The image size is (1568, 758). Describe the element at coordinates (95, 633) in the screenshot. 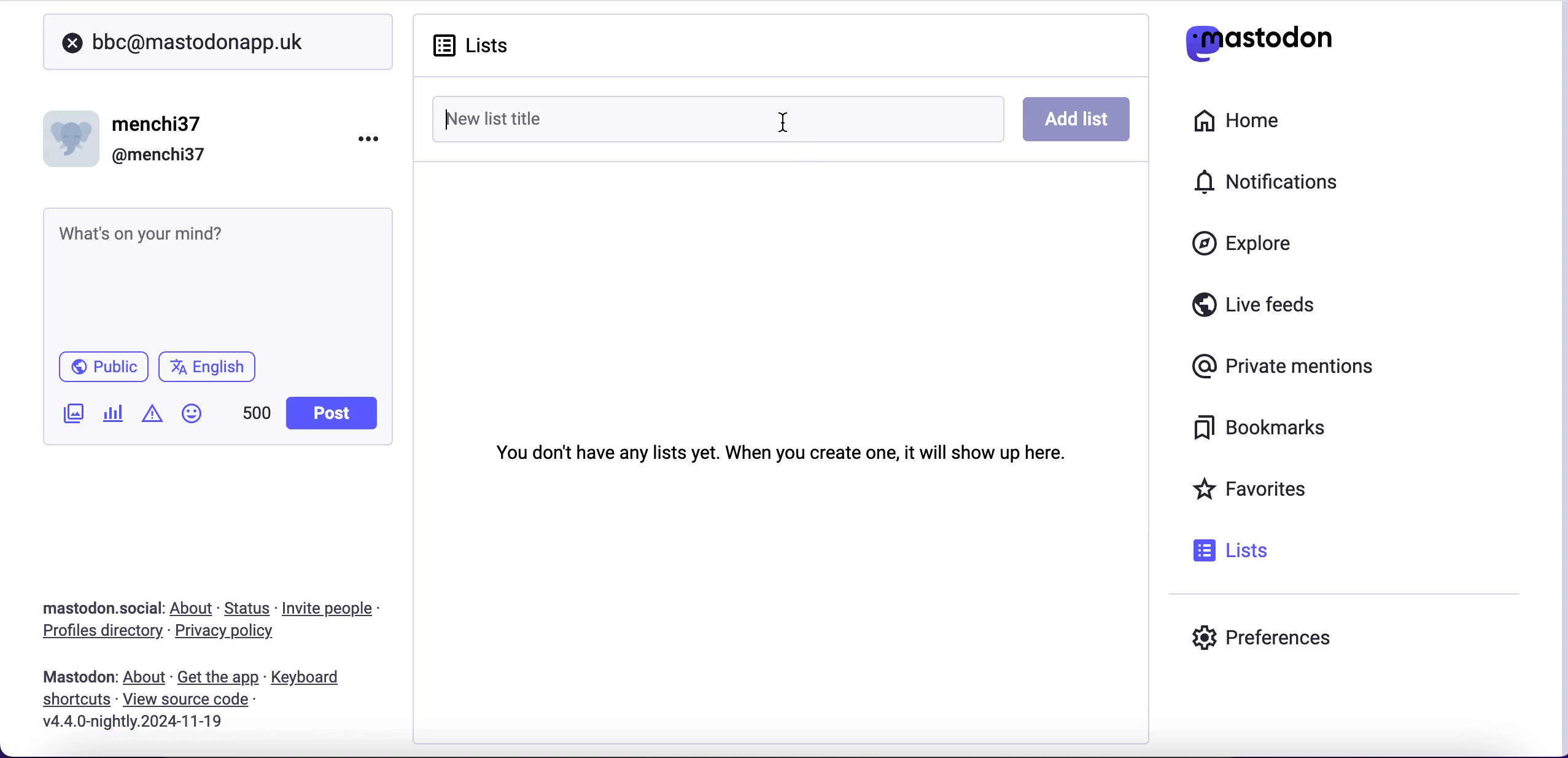

I see `profiles directory` at that location.